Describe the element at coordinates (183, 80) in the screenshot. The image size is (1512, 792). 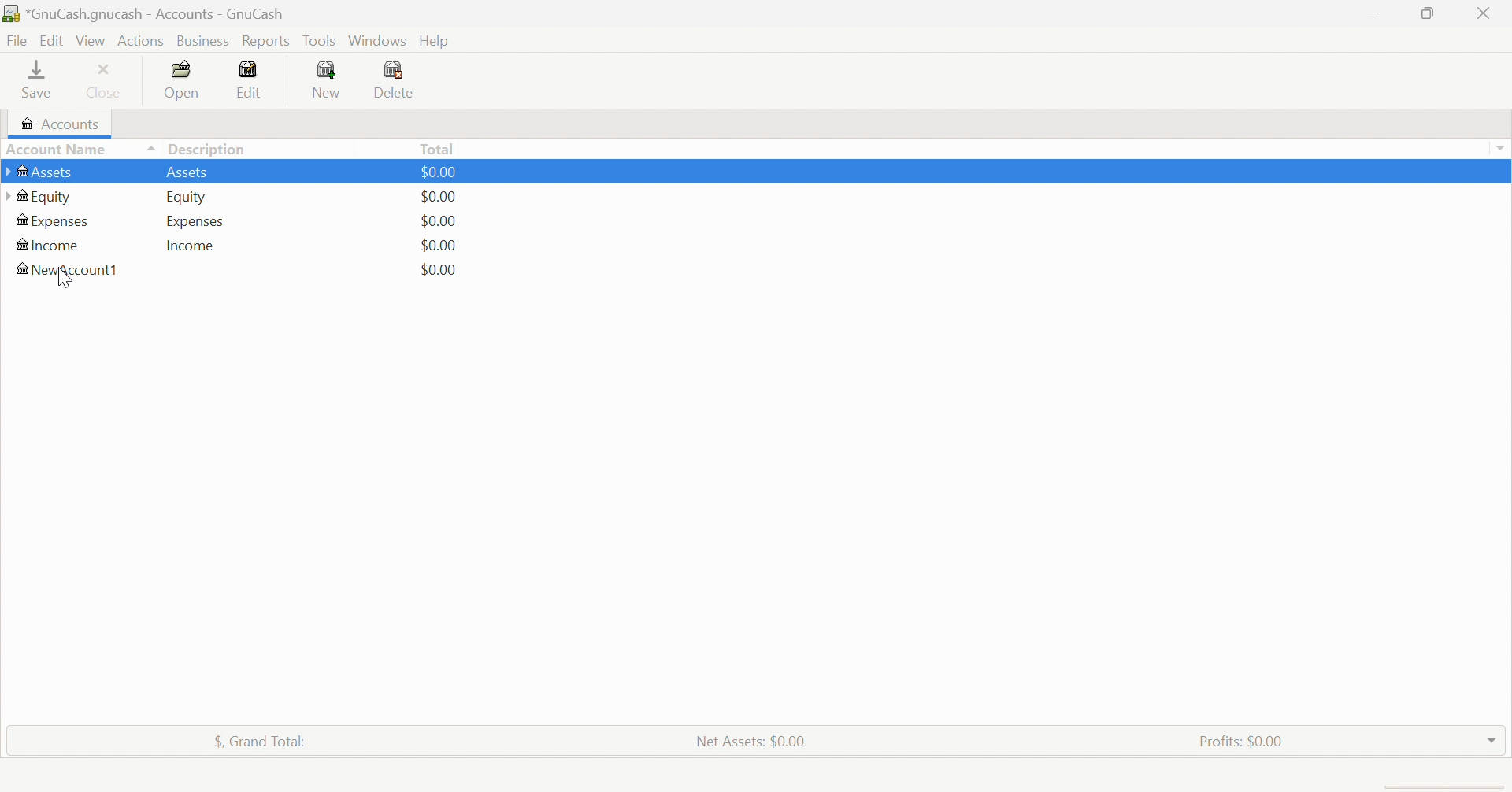
I see `Open` at that location.